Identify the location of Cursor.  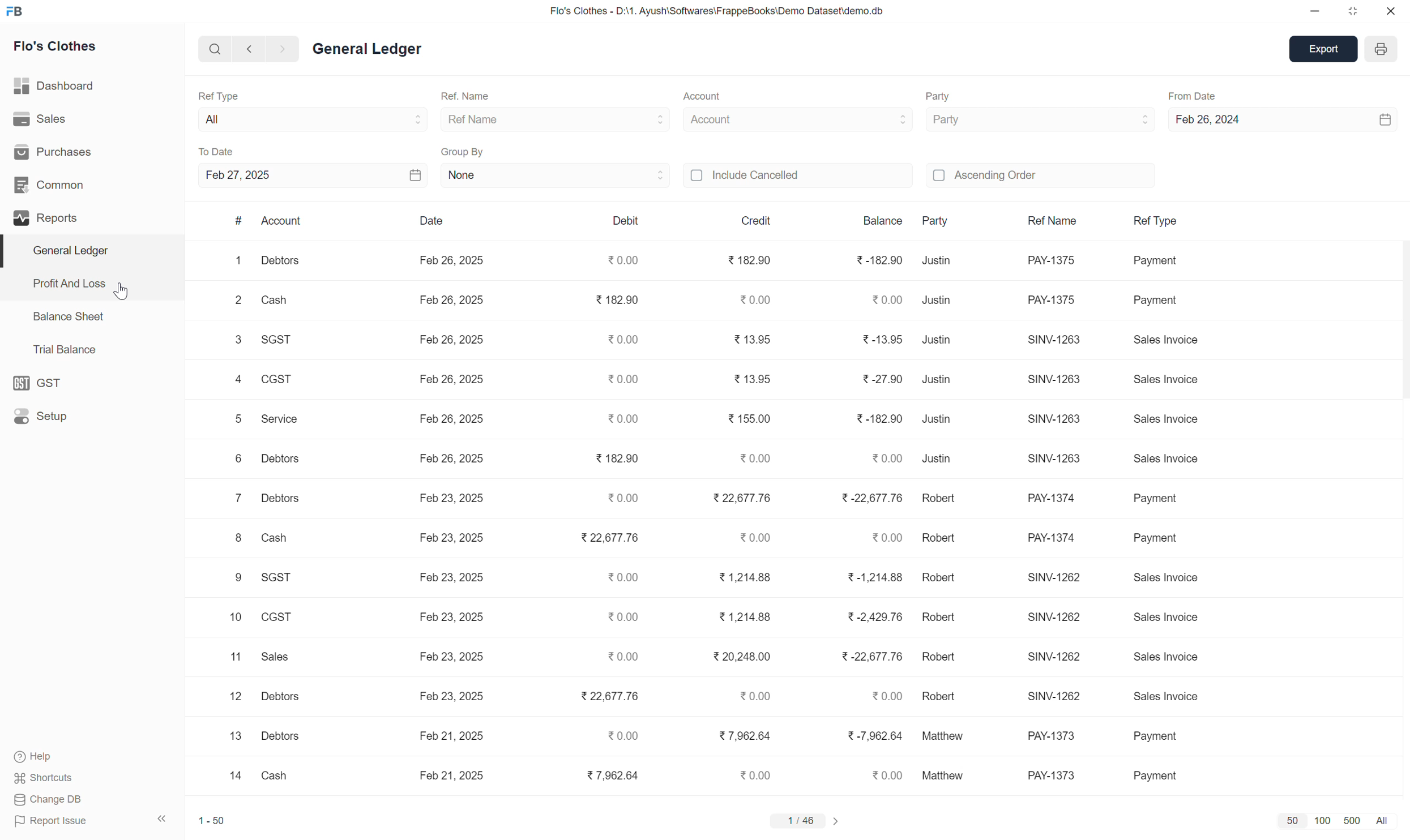
(119, 286).